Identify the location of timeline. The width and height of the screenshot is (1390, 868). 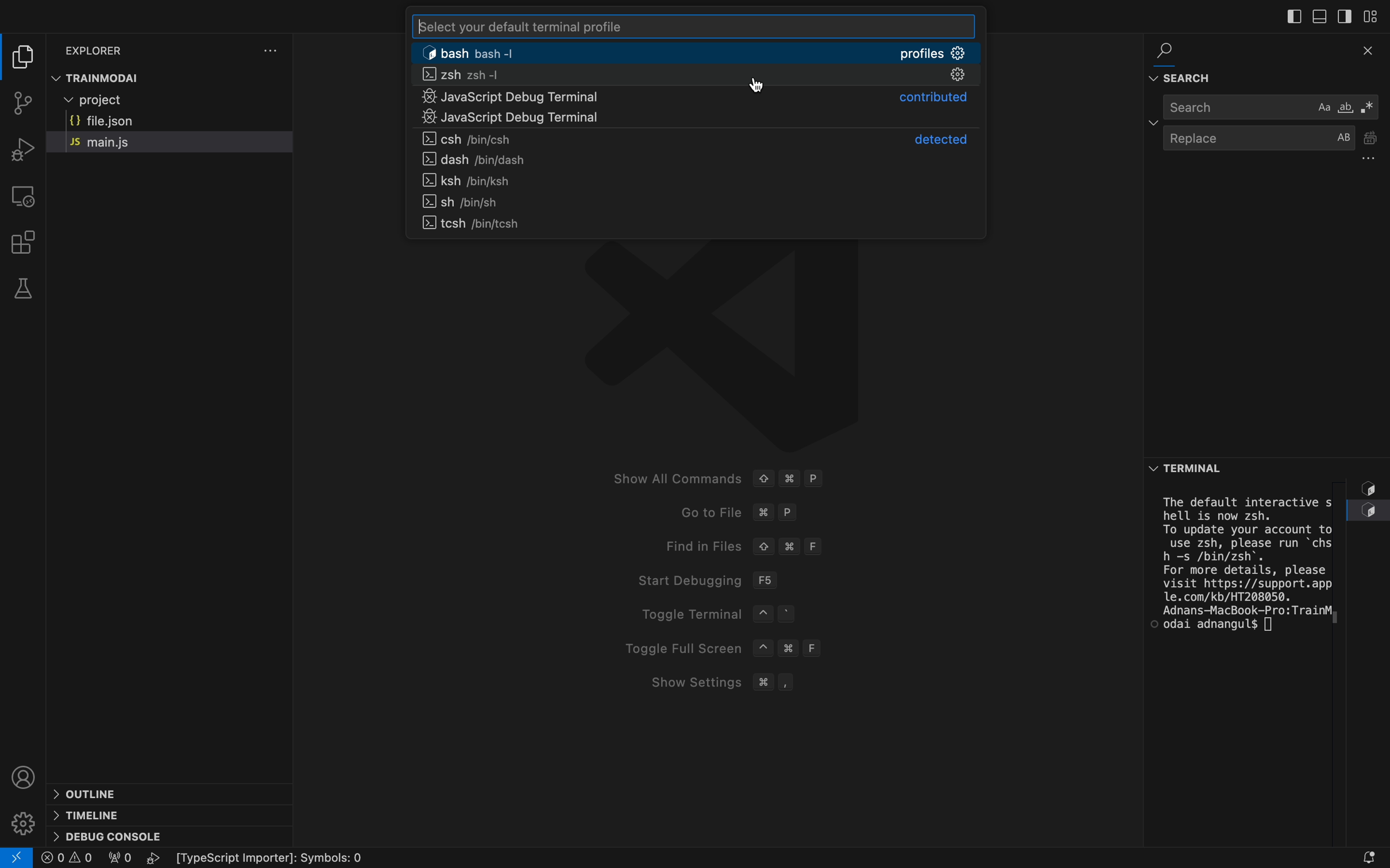
(88, 813).